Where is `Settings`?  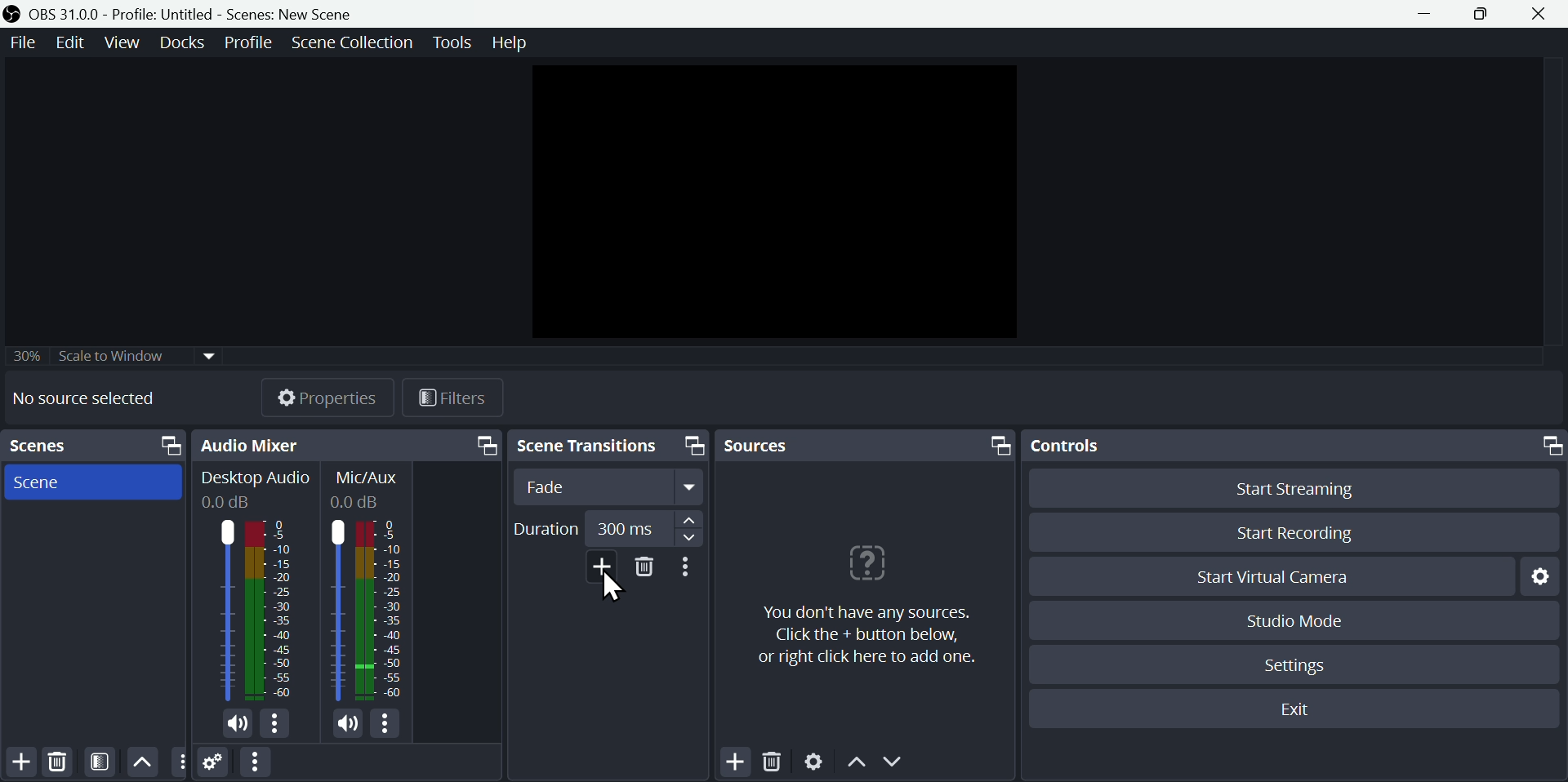
Settings is located at coordinates (1539, 575).